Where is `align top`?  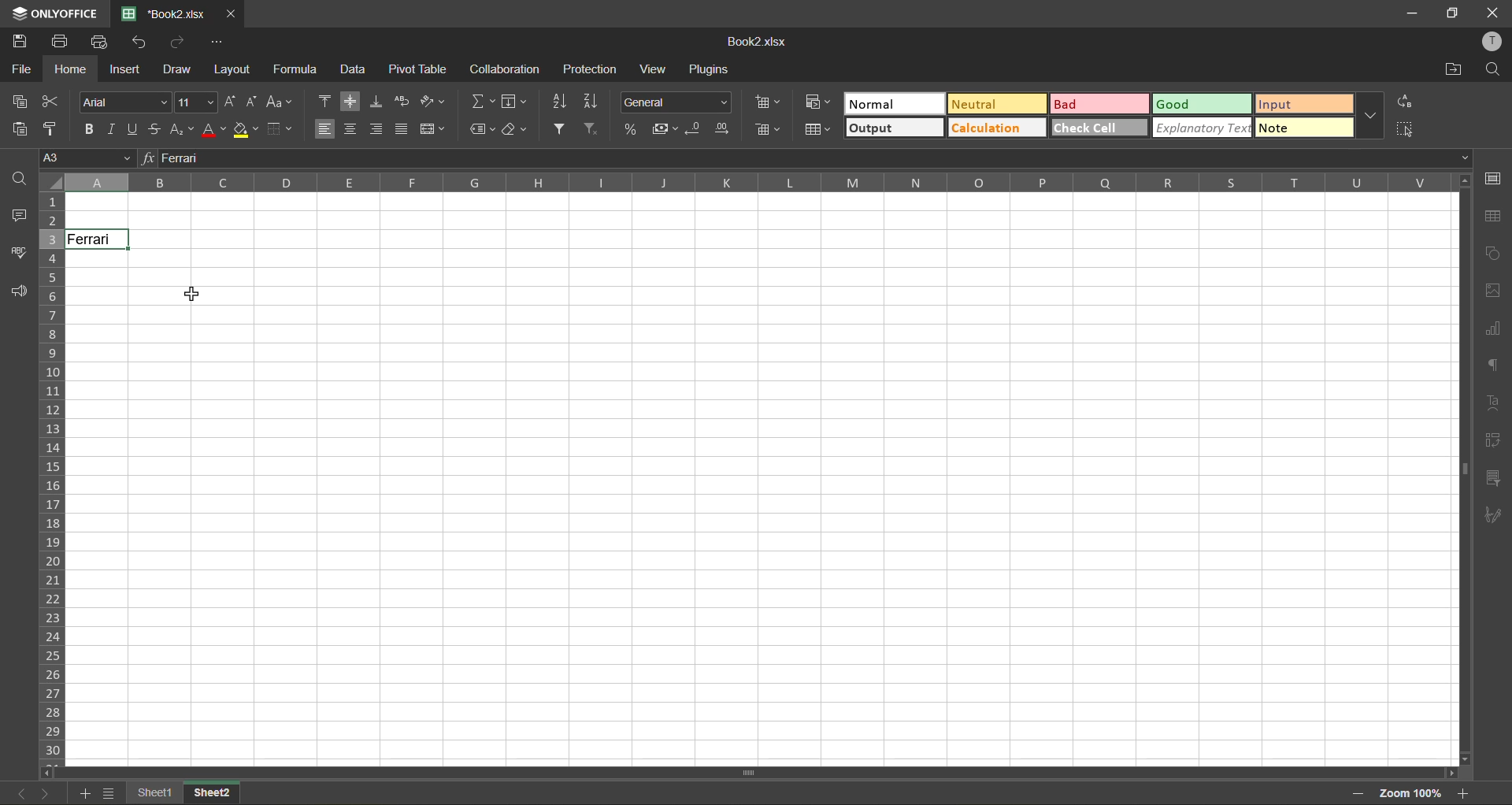 align top is located at coordinates (325, 101).